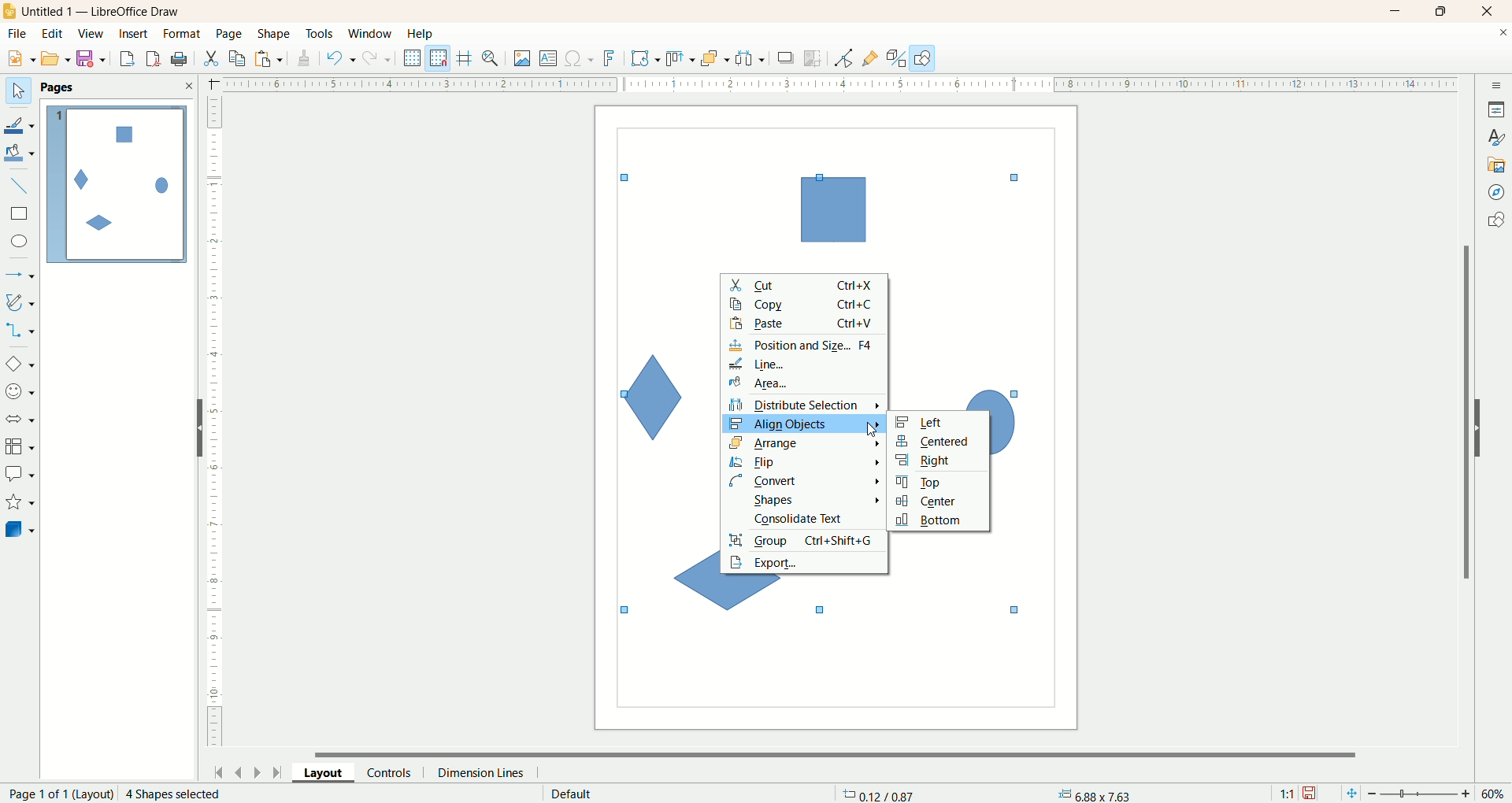  I want to click on close, so click(188, 86).